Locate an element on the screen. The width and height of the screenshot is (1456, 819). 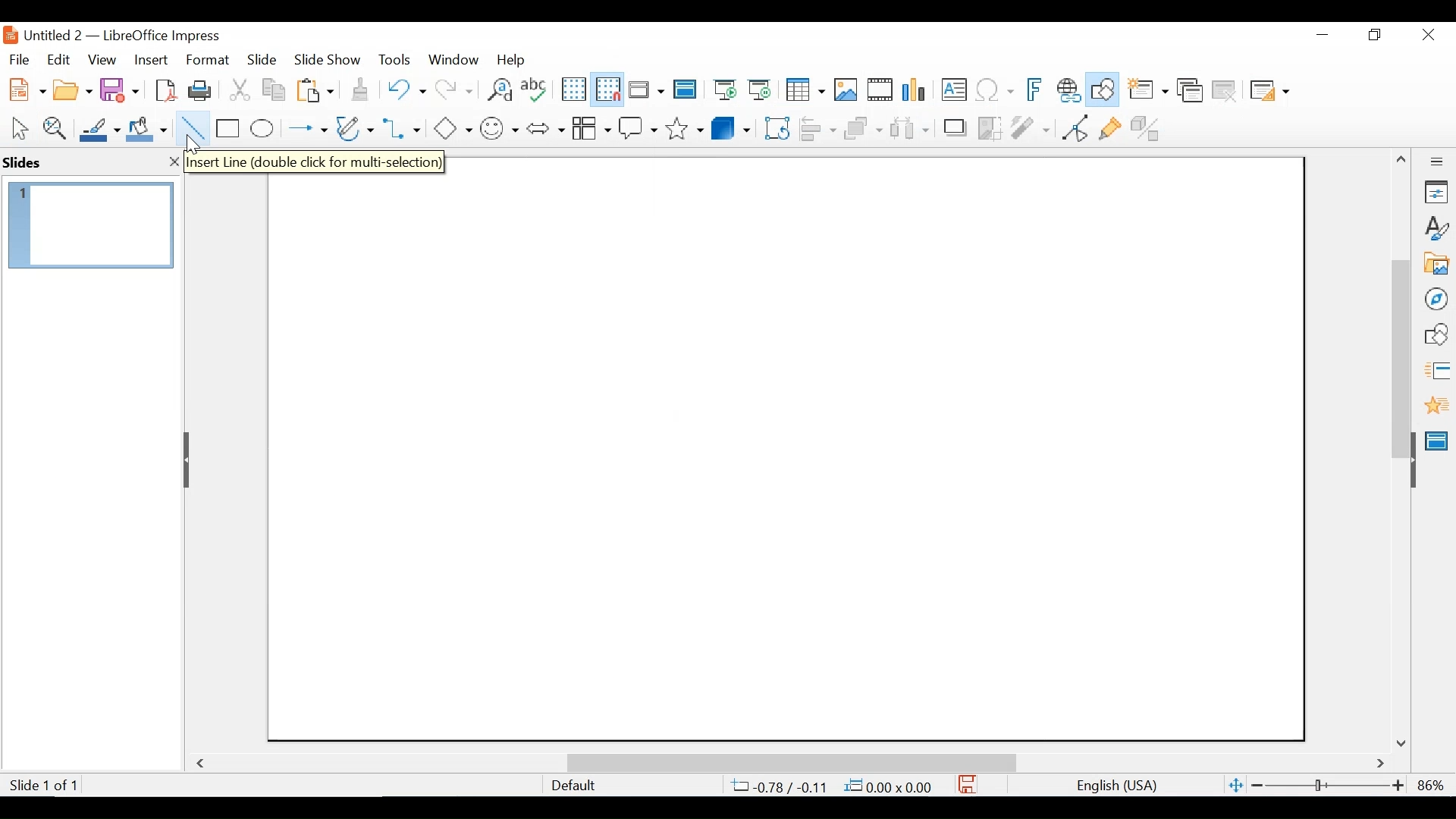
Tools is located at coordinates (394, 59).